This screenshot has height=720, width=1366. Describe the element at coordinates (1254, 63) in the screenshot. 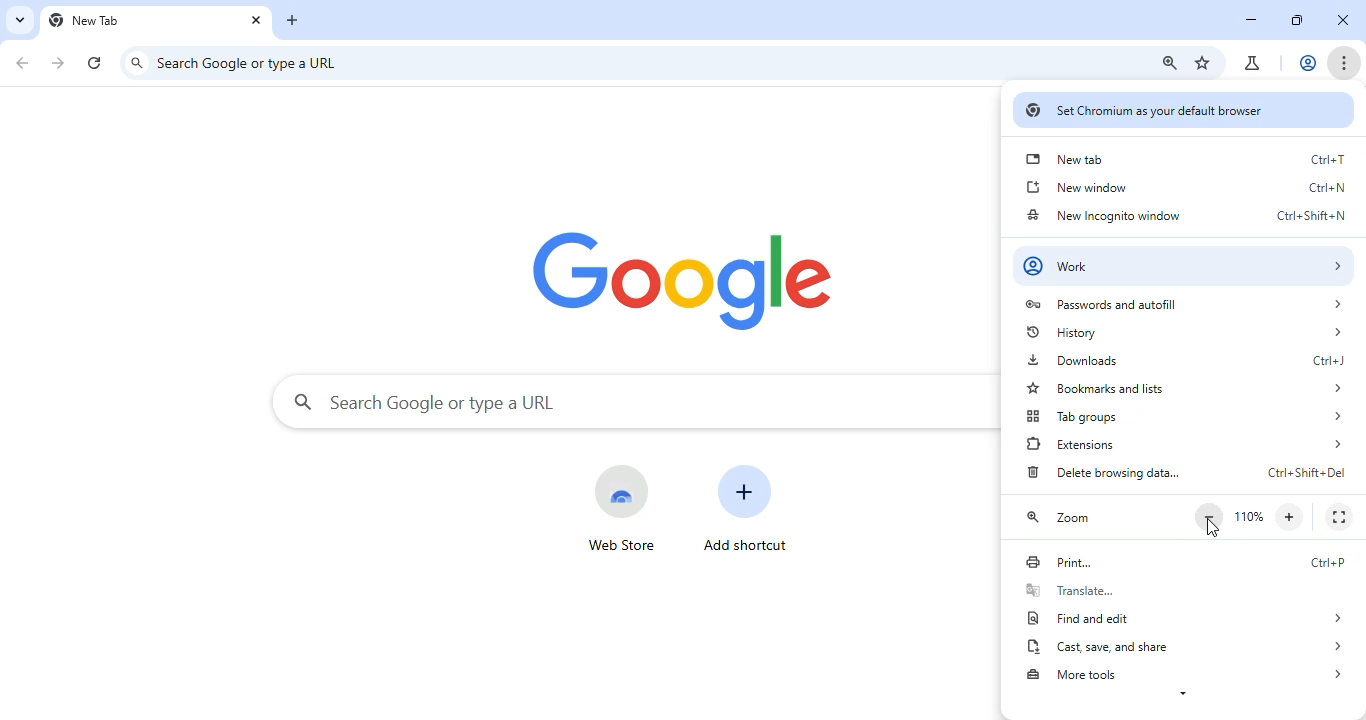

I see `chrome labs` at that location.